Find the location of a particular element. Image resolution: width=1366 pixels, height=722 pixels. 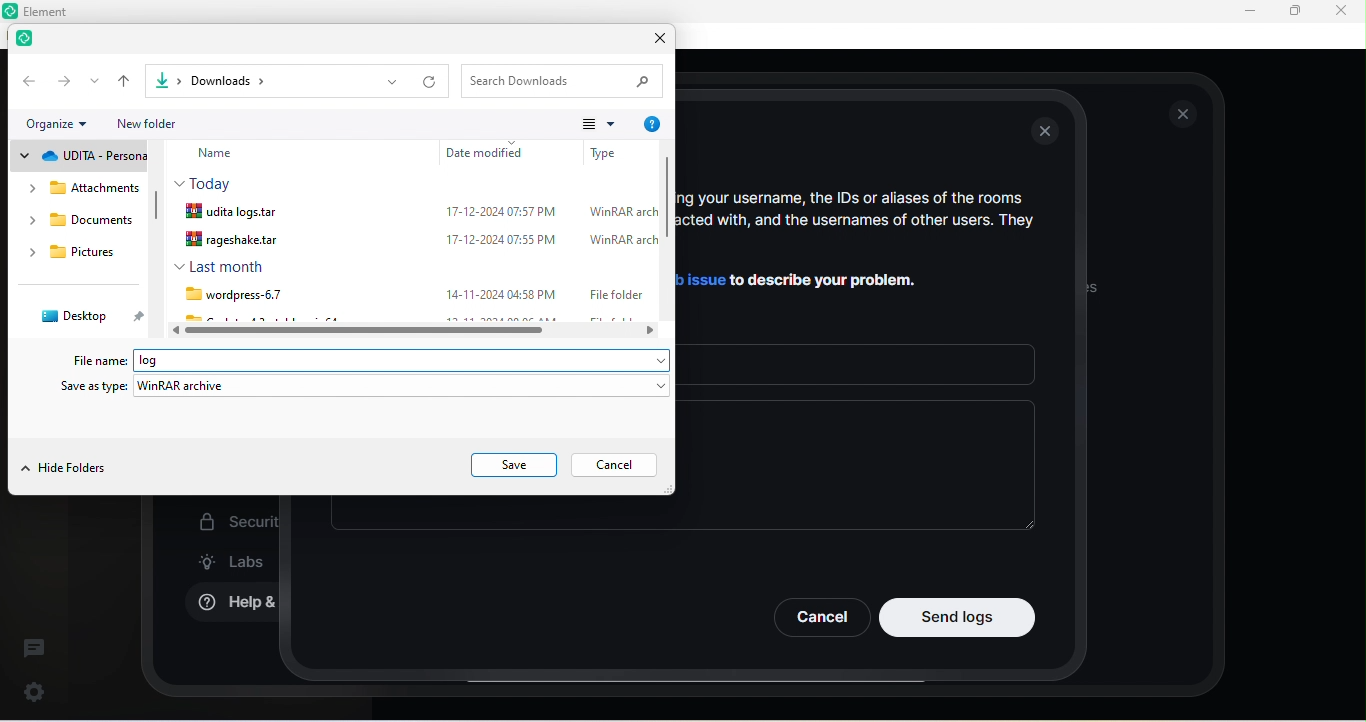

file type  is located at coordinates (605, 151).